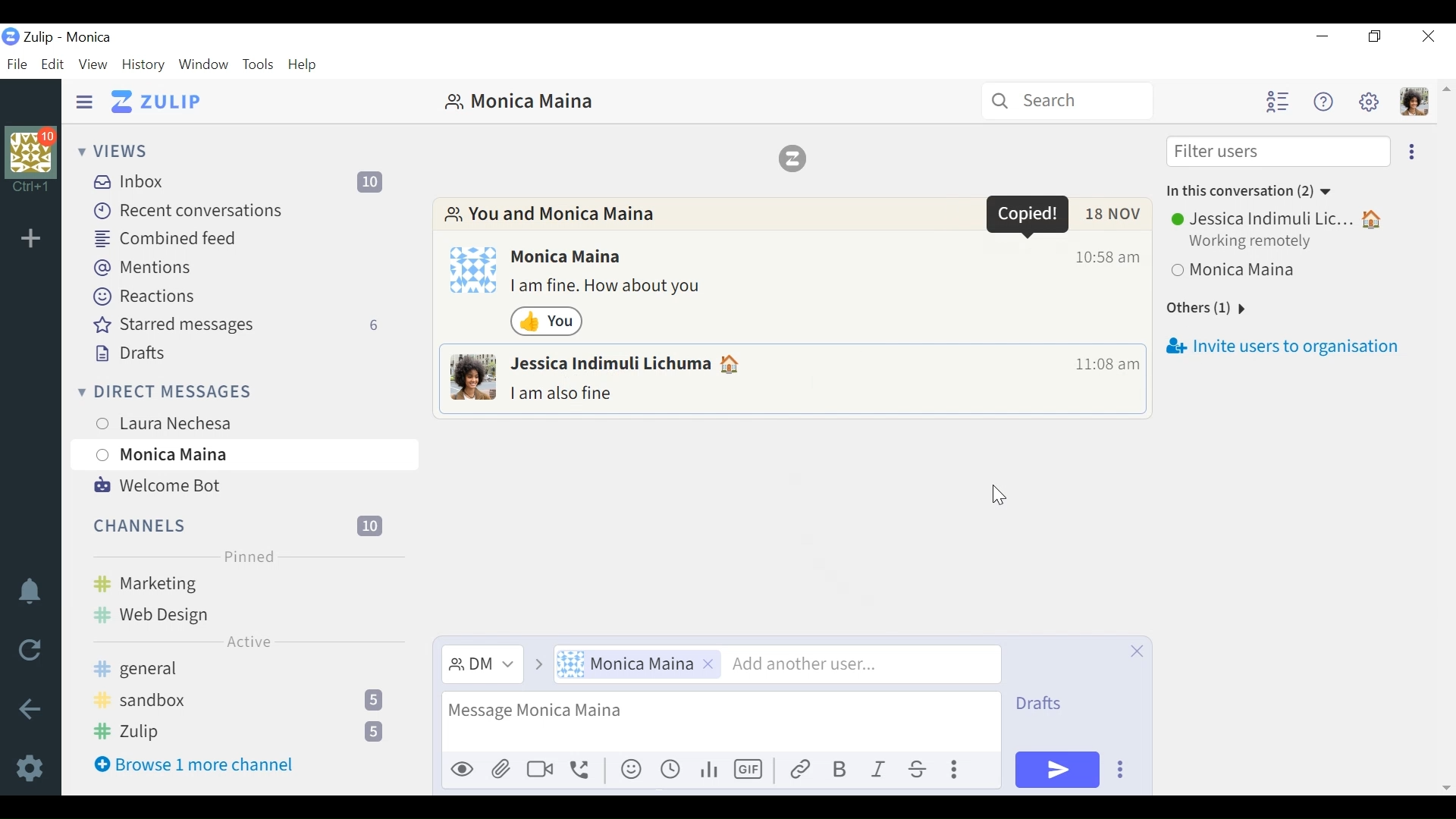 The height and width of the screenshot is (819, 1456). I want to click on Go back, so click(28, 709).